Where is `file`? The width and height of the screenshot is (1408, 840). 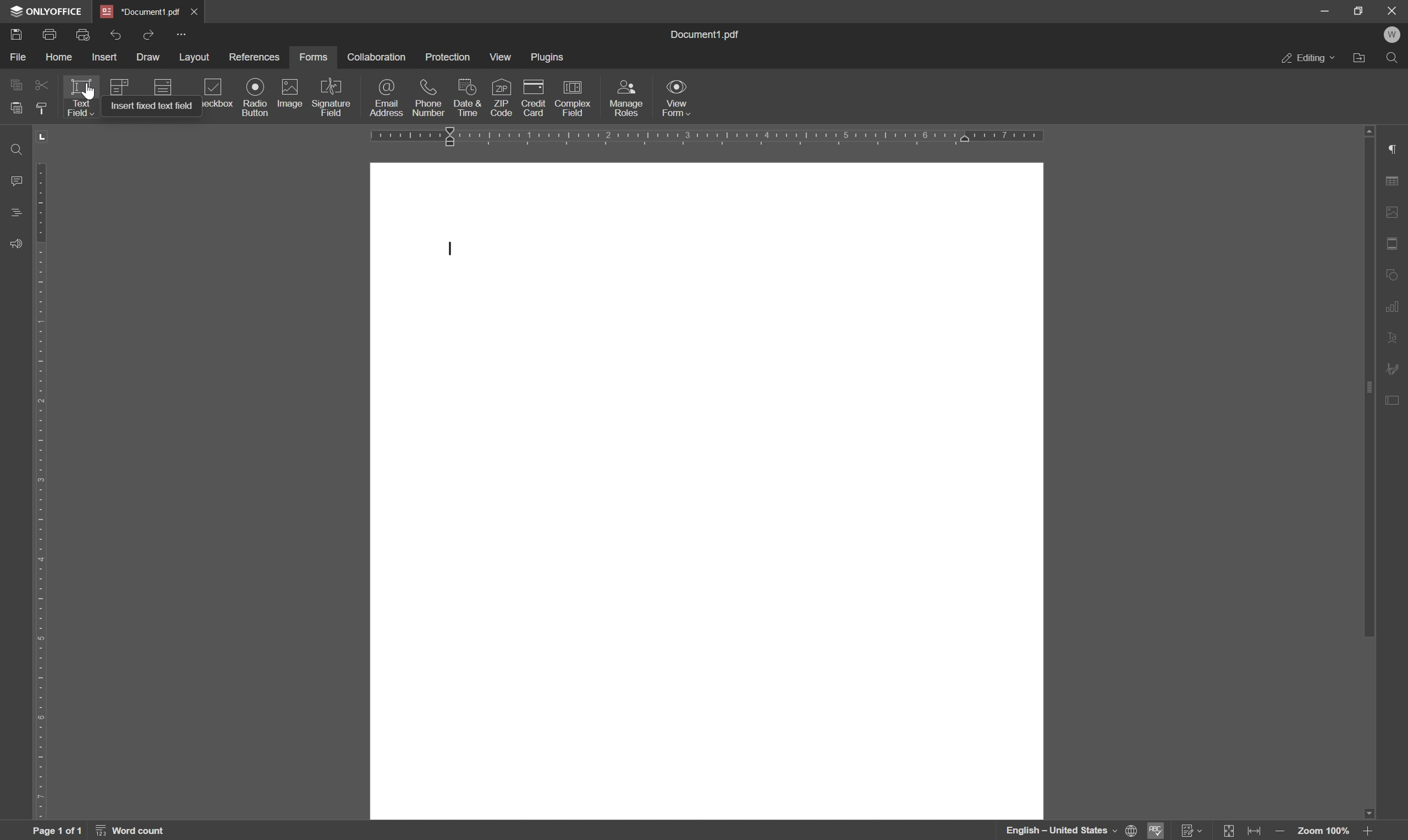 file is located at coordinates (17, 57).